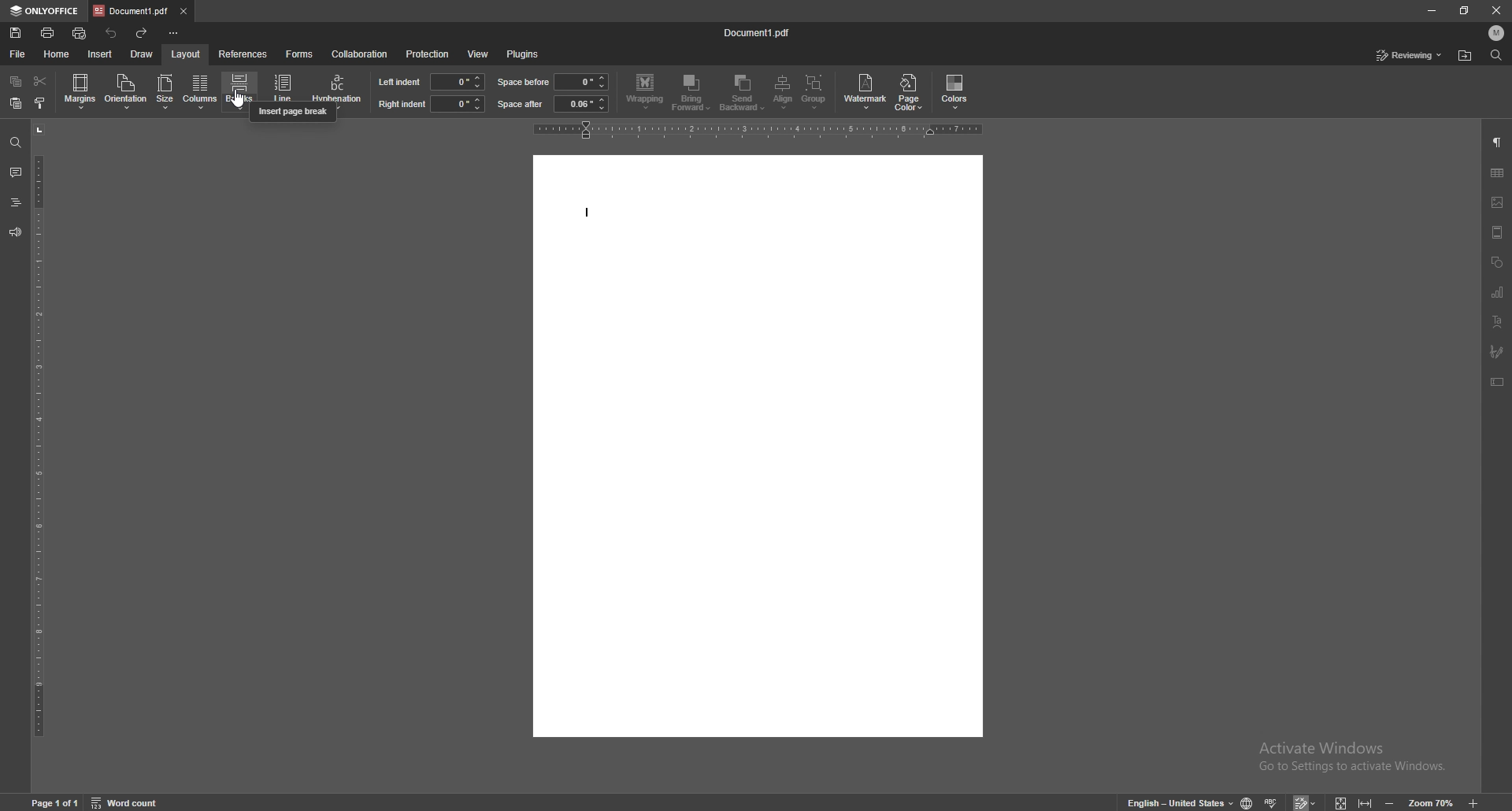 The image size is (1512, 811). What do you see at coordinates (143, 54) in the screenshot?
I see `draw` at bounding box center [143, 54].